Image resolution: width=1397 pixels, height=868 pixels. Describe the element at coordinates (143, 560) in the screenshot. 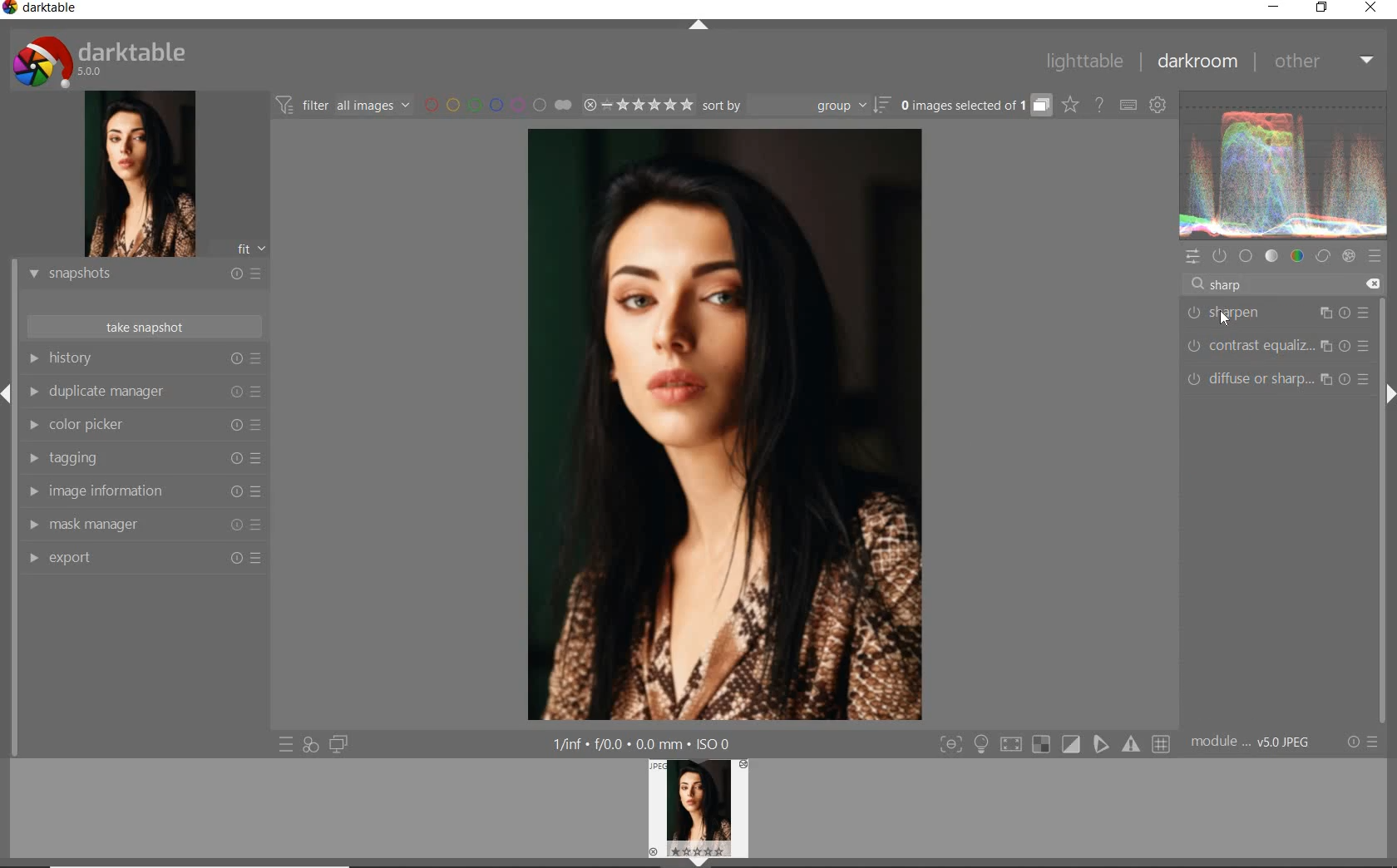

I see `export` at that location.